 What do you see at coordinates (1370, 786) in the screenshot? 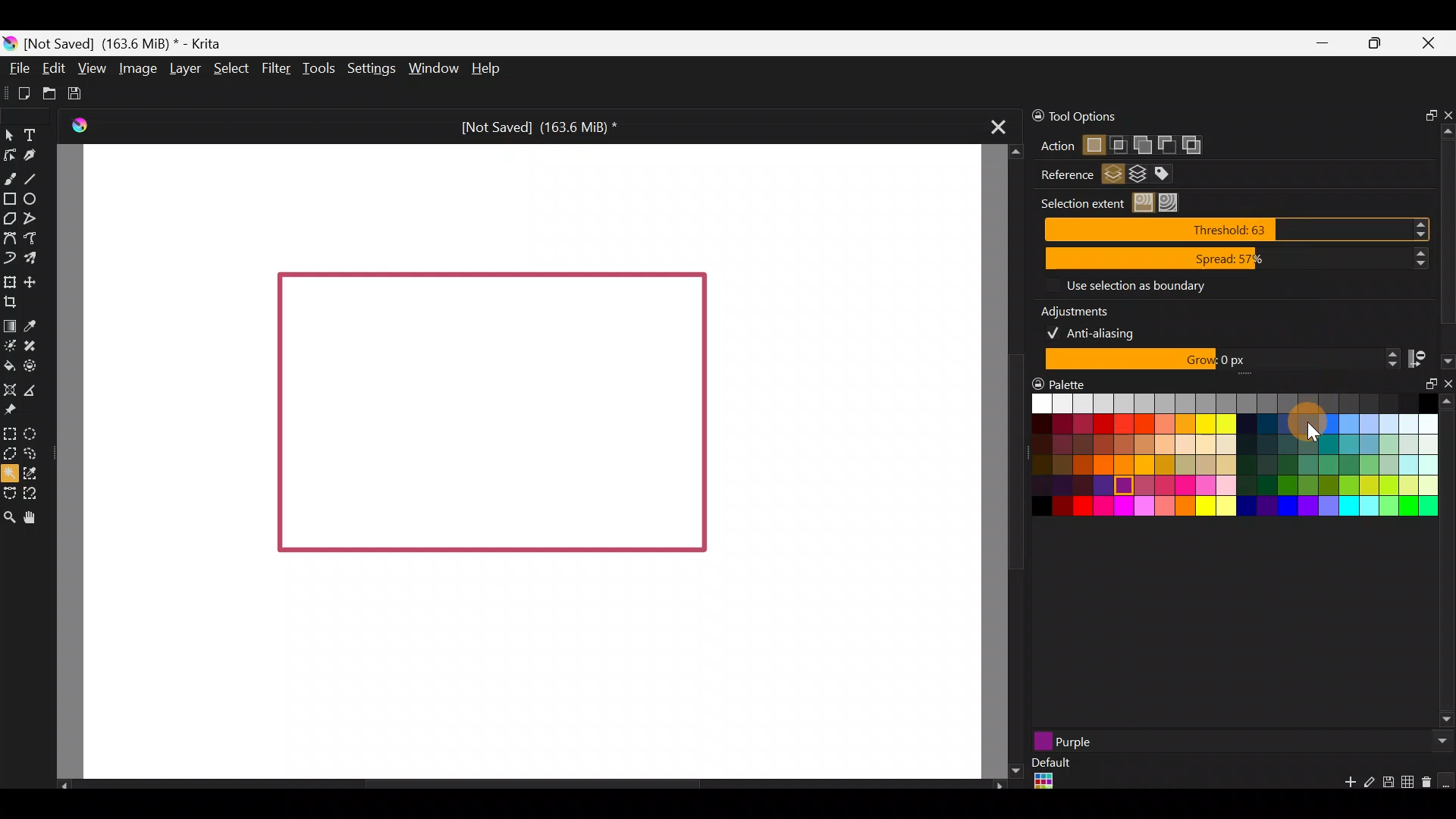
I see `Edit swatch/group` at bounding box center [1370, 786].